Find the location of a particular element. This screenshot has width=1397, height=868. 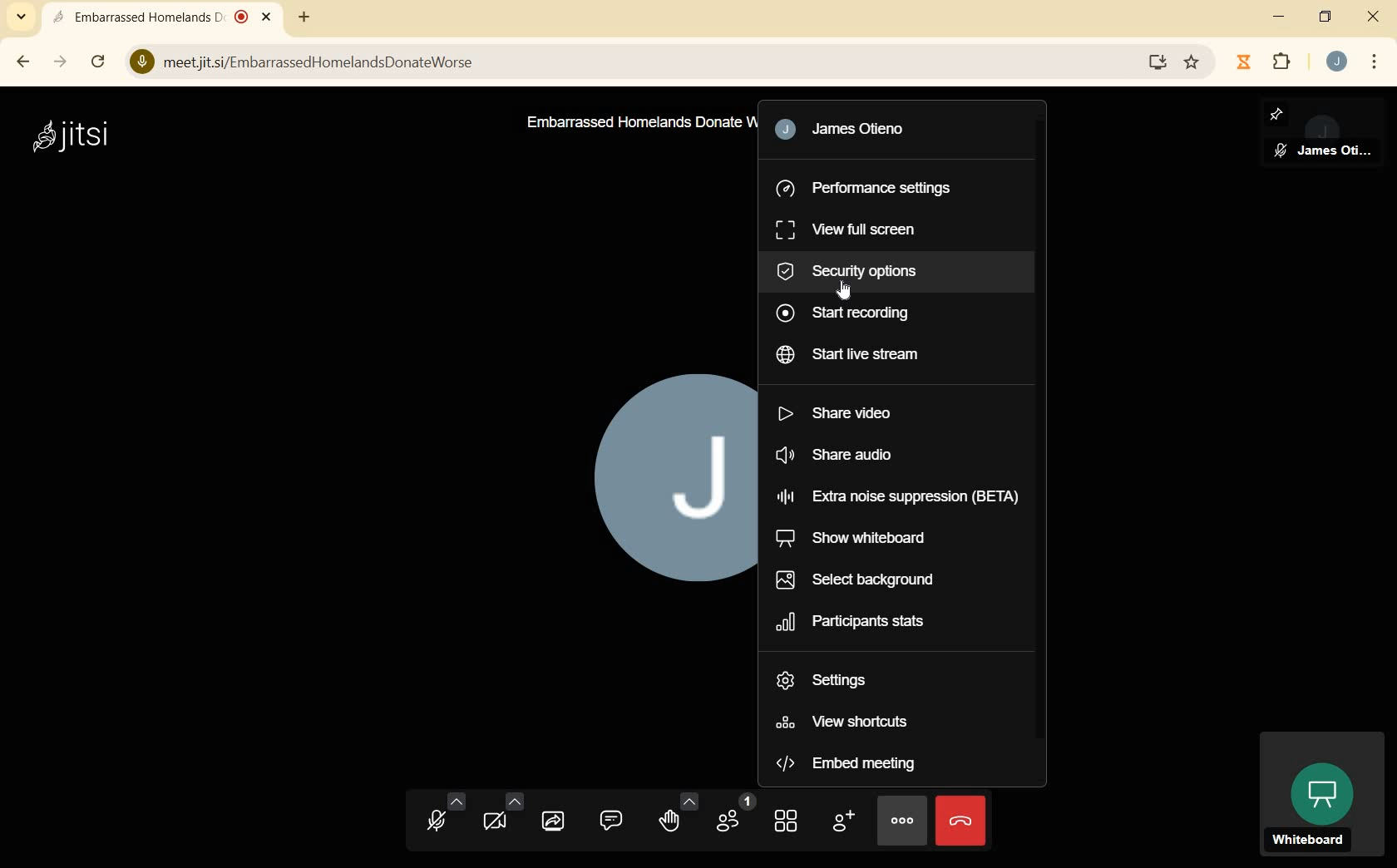

select background is located at coordinates (856, 579).